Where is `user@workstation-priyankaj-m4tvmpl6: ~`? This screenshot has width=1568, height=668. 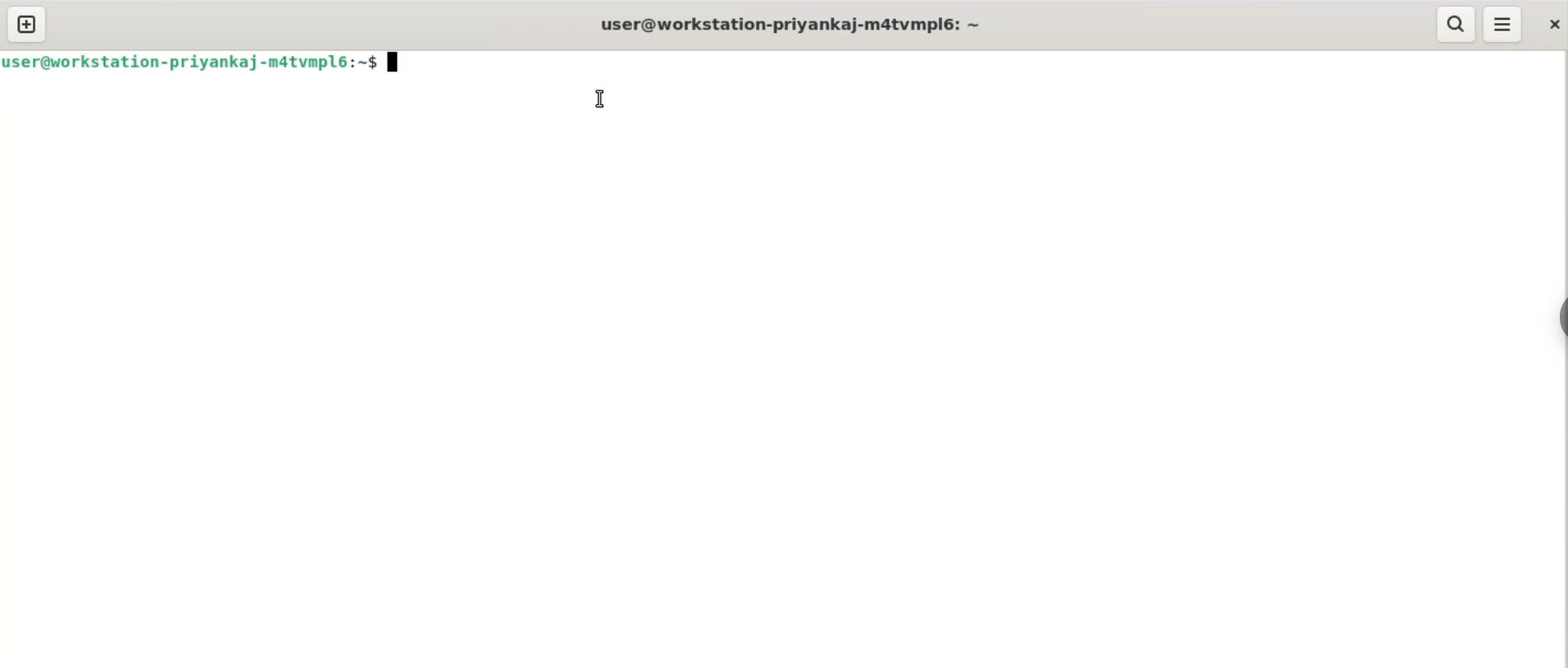
user@workstation-priyankaj-m4tvmpl6: ~ is located at coordinates (780, 28).